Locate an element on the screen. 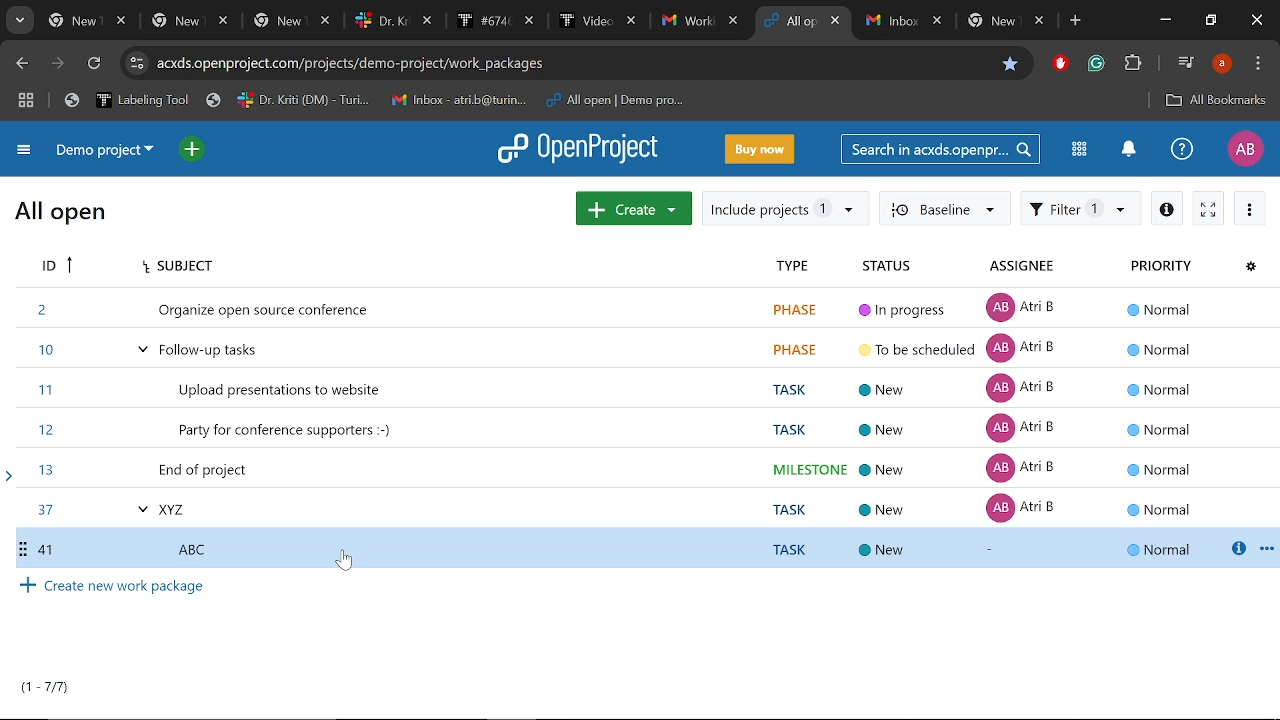  Selected project is located at coordinates (645, 548).